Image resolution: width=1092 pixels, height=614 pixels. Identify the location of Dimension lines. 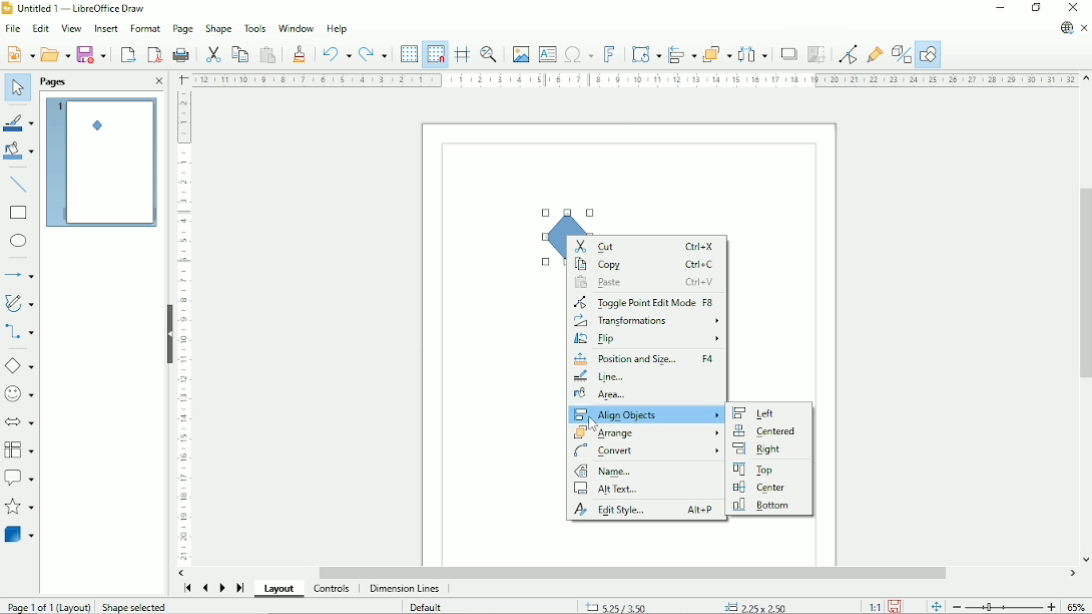
(406, 589).